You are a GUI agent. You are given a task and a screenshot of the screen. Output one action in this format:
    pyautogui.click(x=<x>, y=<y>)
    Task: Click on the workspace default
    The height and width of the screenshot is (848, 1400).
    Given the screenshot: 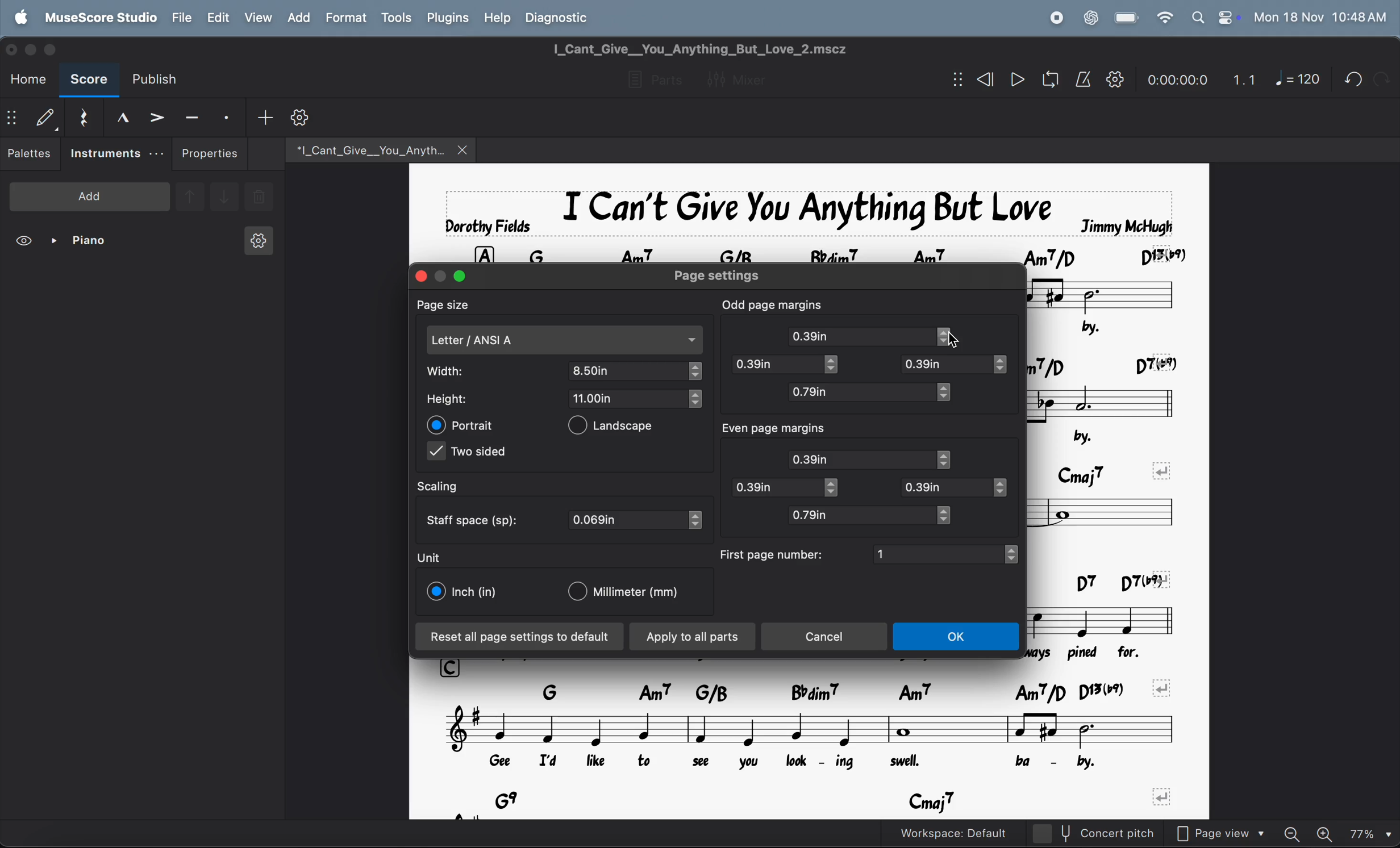 What is the action you would take?
    pyautogui.click(x=977, y=833)
    